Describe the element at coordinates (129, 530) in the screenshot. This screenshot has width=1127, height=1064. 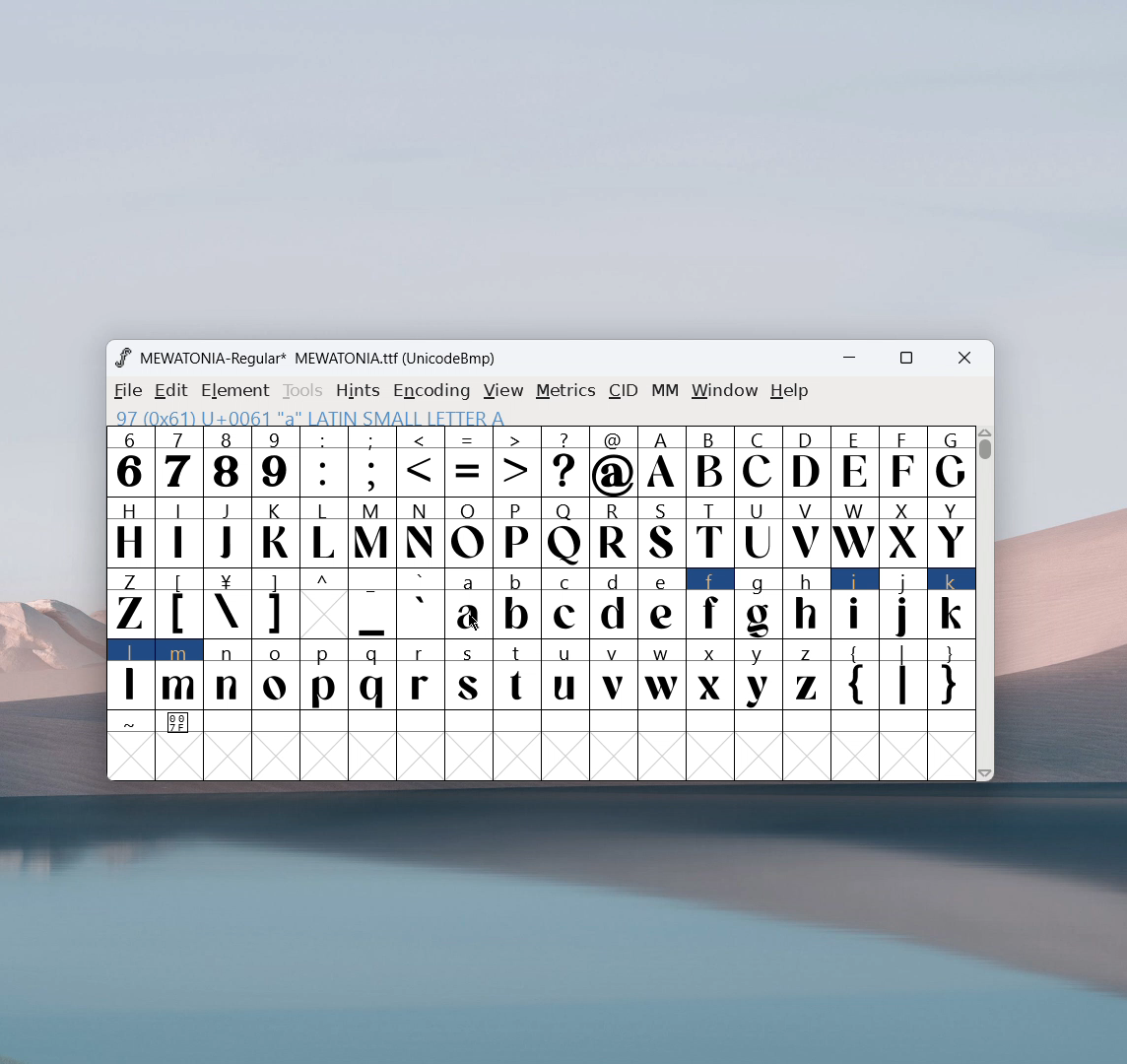
I see `H` at that location.